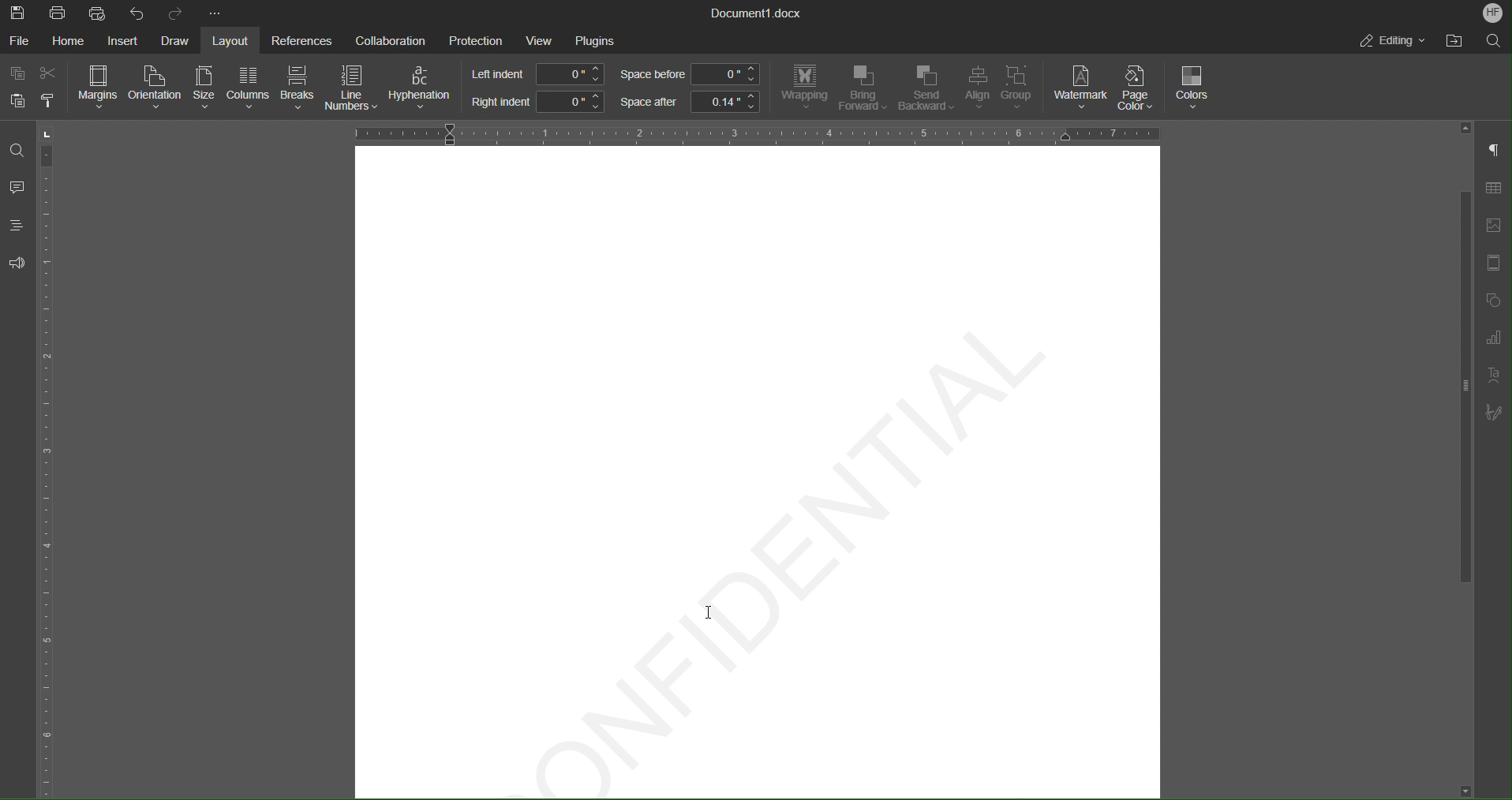 This screenshot has height=800, width=1512. What do you see at coordinates (299, 40) in the screenshot?
I see `References` at bounding box center [299, 40].